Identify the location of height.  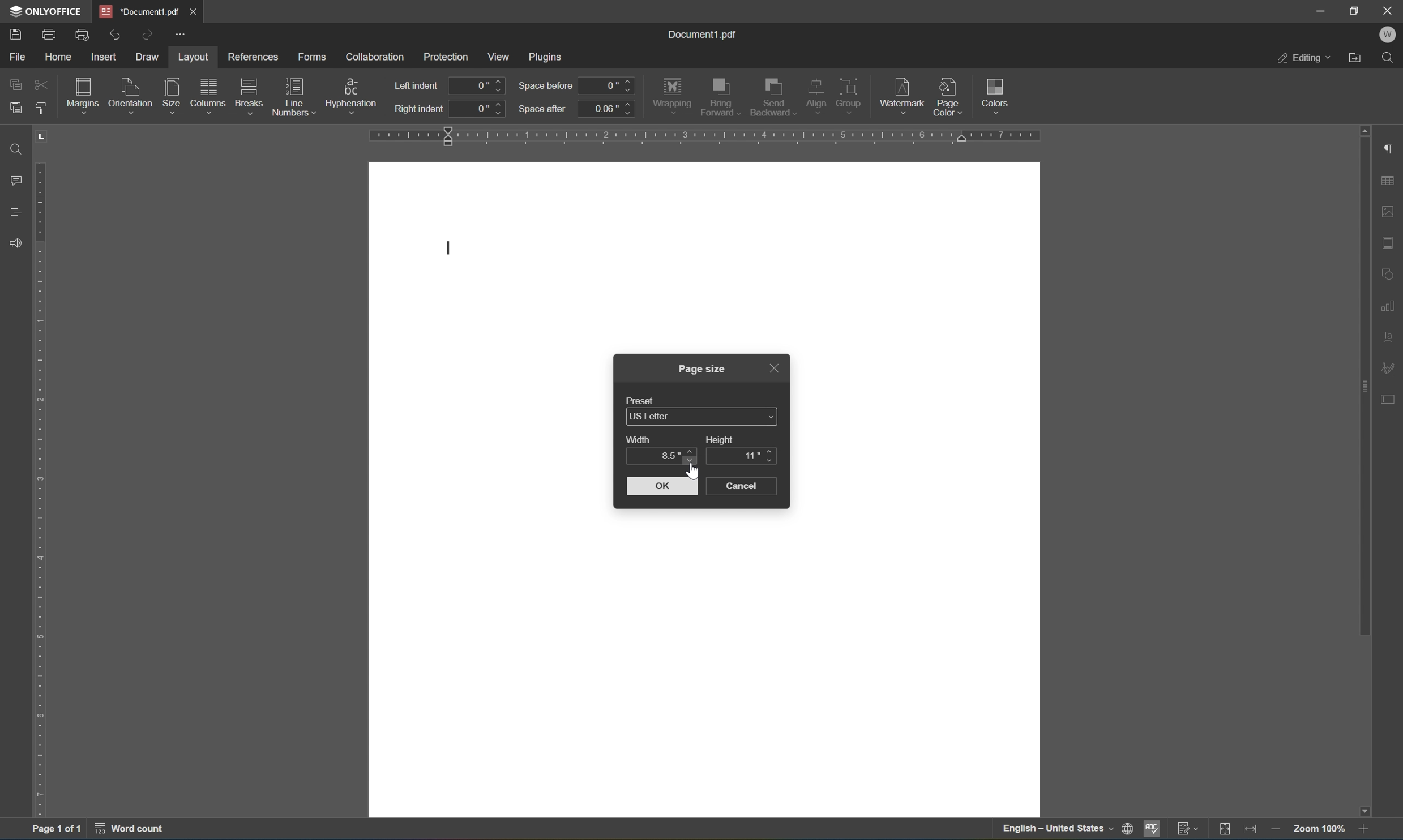
(722, 439).